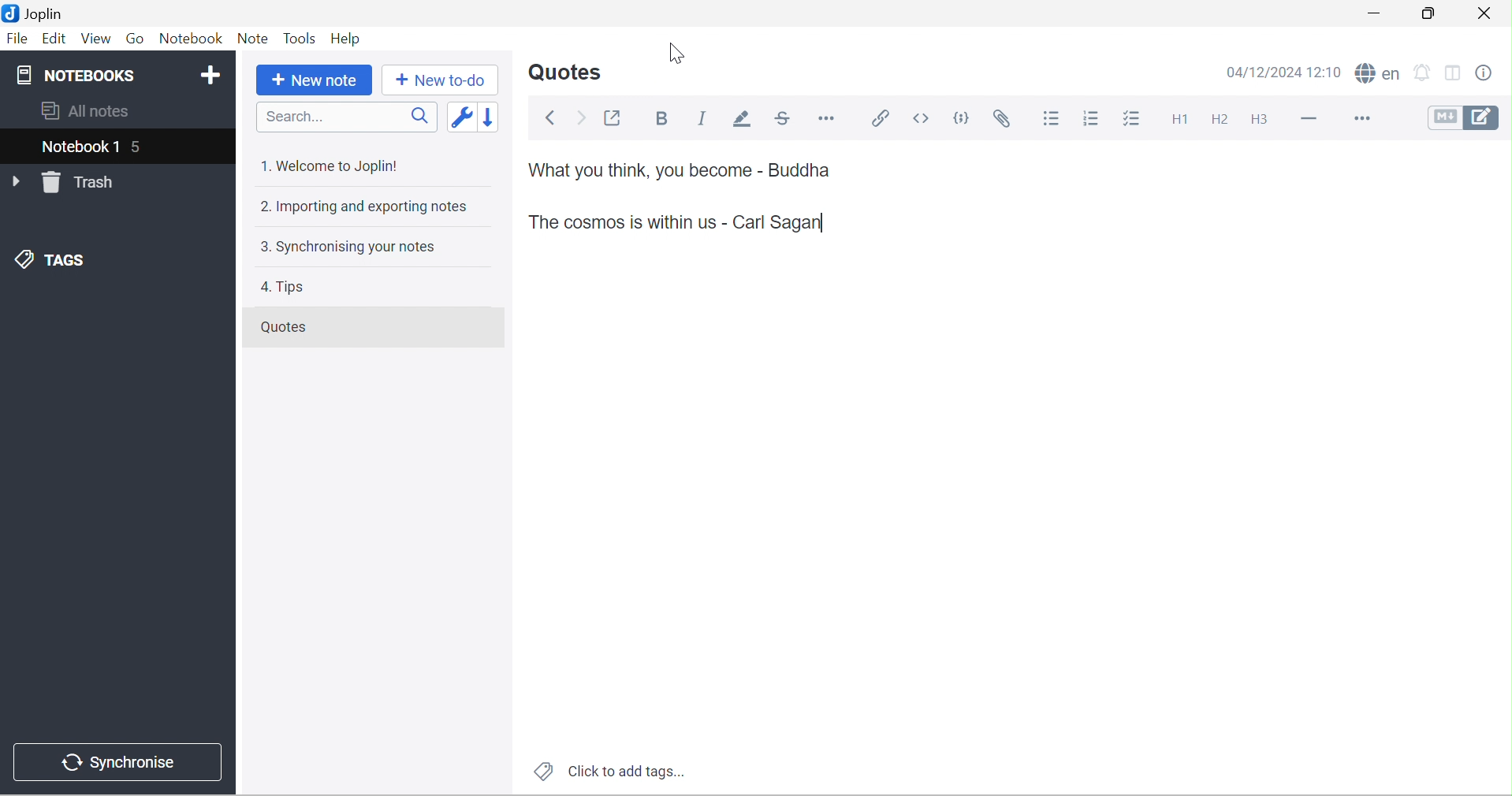 The image size is (1512, 796). Describe the element at coordinates (97, 39) in the screenshot. I see `View` at that location.